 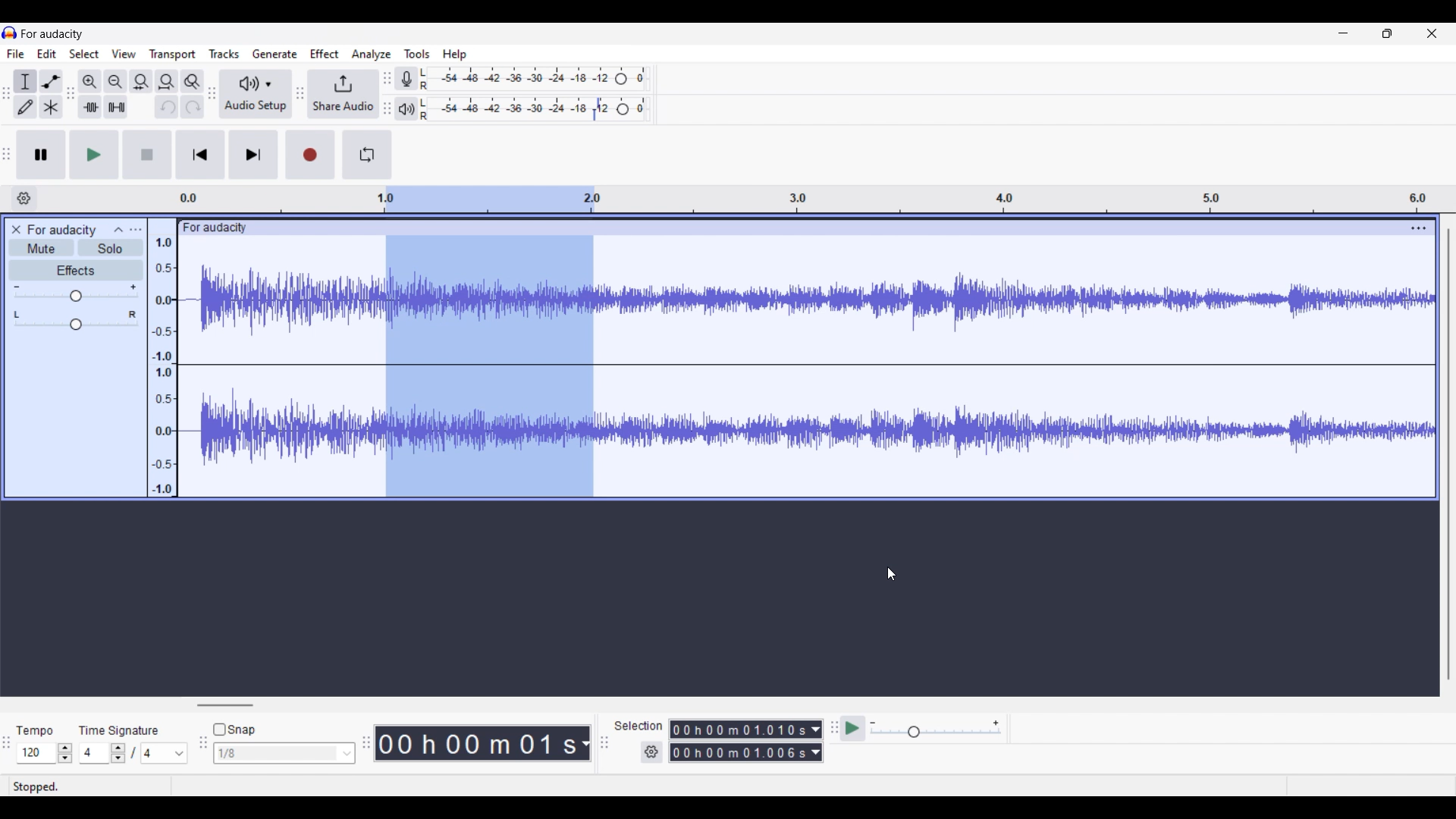 What do you see at coordinates (585, 743) in the screenshot?
I see `Duration measurement options` at bounding box center [585, 743].